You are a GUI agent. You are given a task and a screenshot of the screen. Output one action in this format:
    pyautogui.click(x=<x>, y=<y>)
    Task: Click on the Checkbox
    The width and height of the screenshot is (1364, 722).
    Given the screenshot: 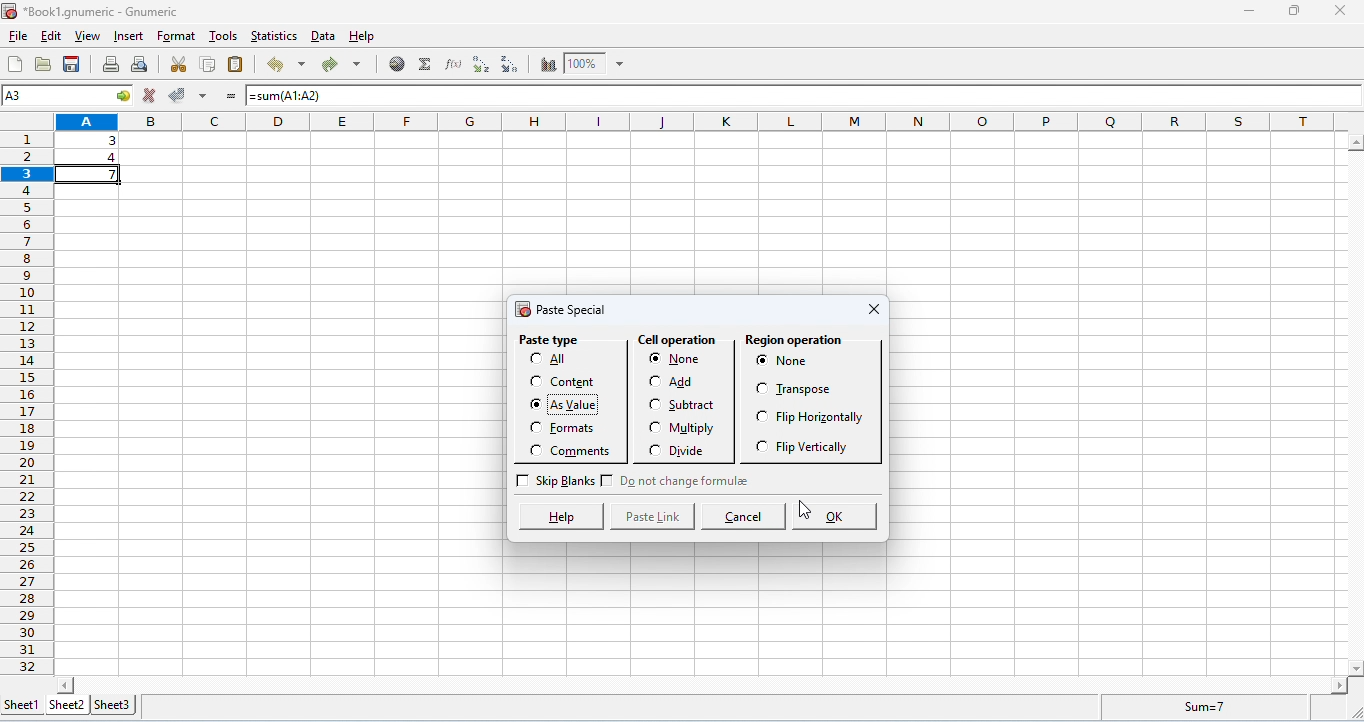 What is the action you would take?
    pyautogui.click(x=533, y=403)
    